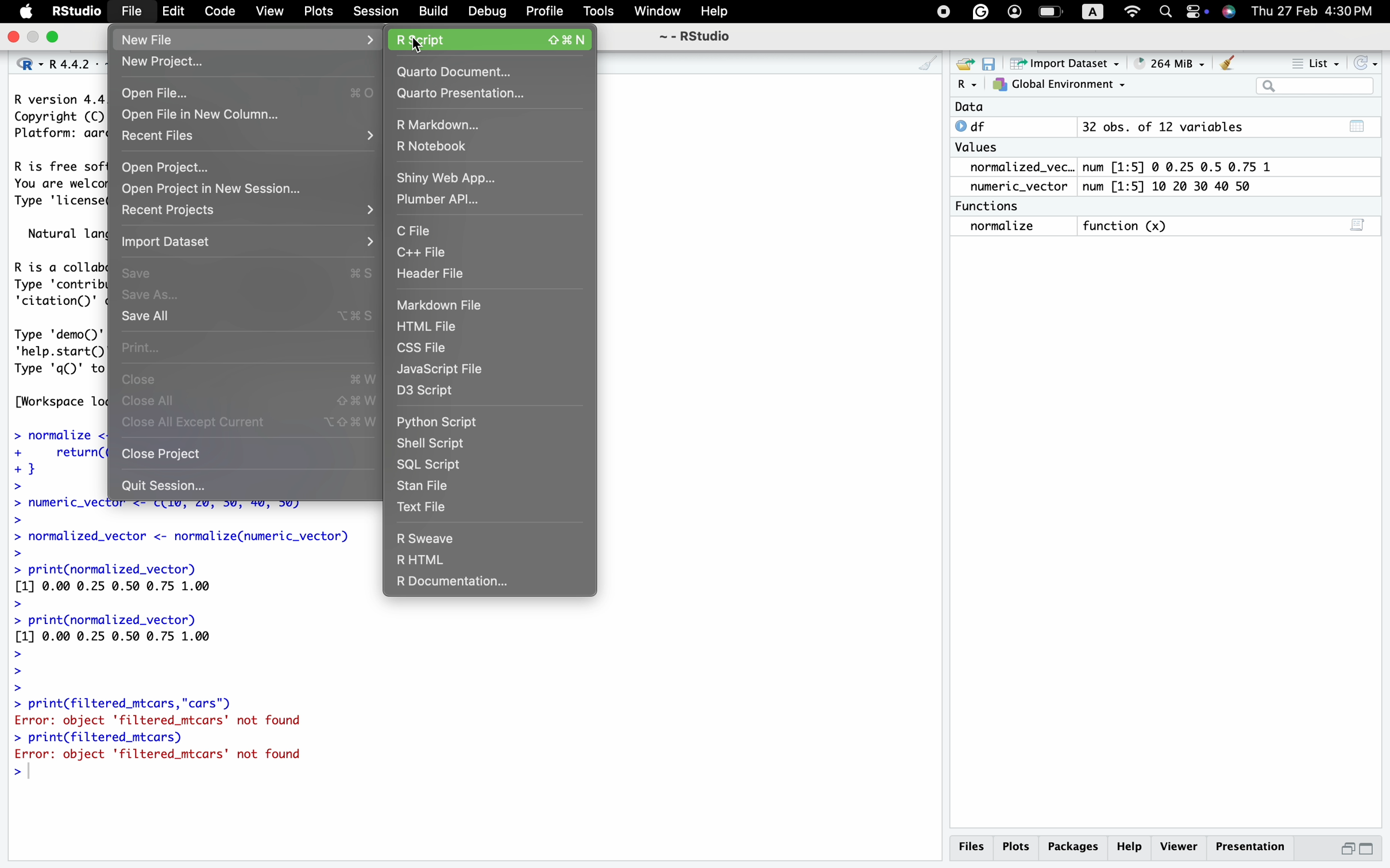 Image resolution: width=1390 pixels, height=868 pixels. What do you see at coordinates (489, 393) in the screenshot?
I see `D3 script` at bounding box center [489, 393].